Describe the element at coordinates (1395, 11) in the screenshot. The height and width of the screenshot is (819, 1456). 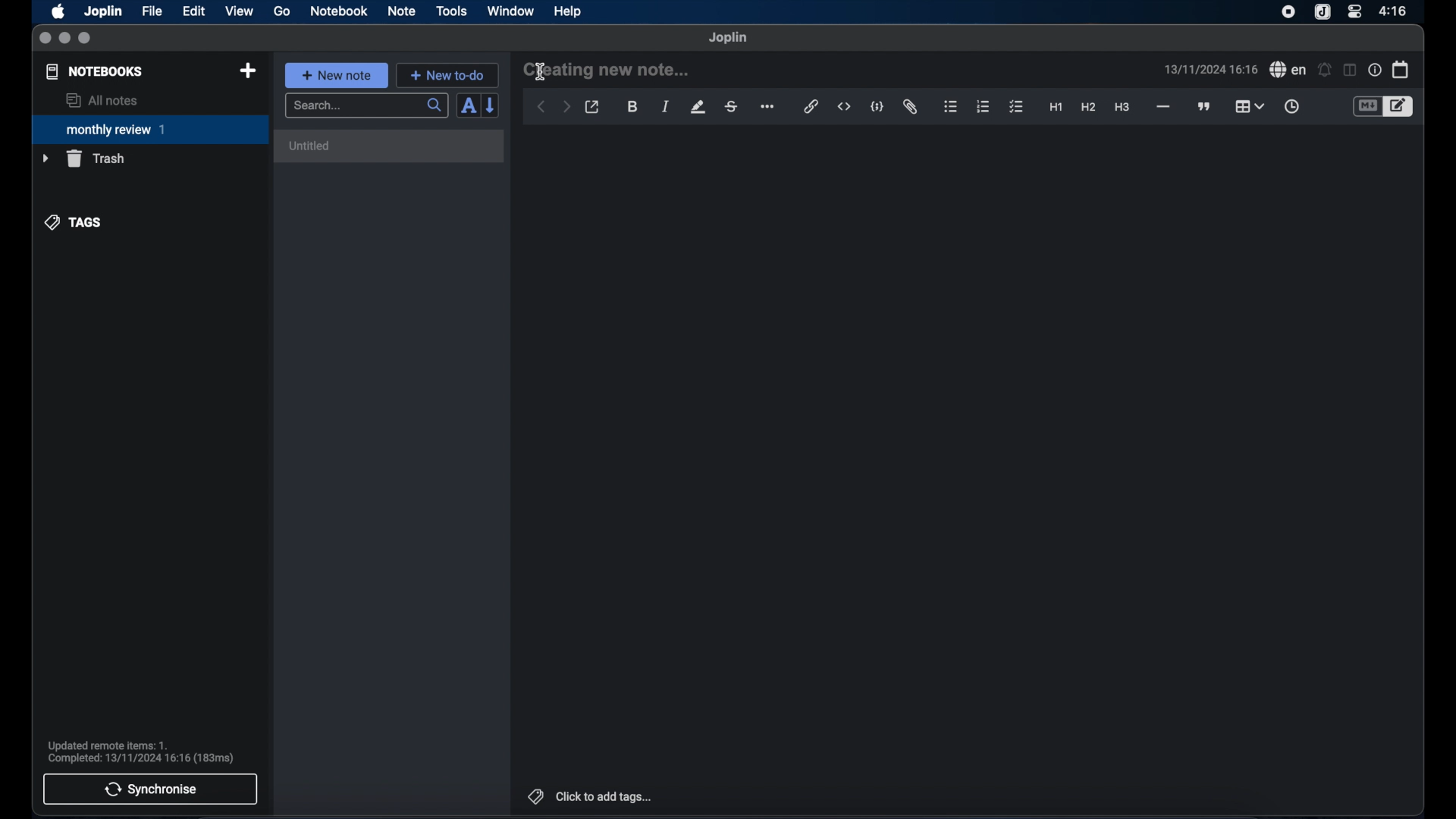
I see `time` at that location.